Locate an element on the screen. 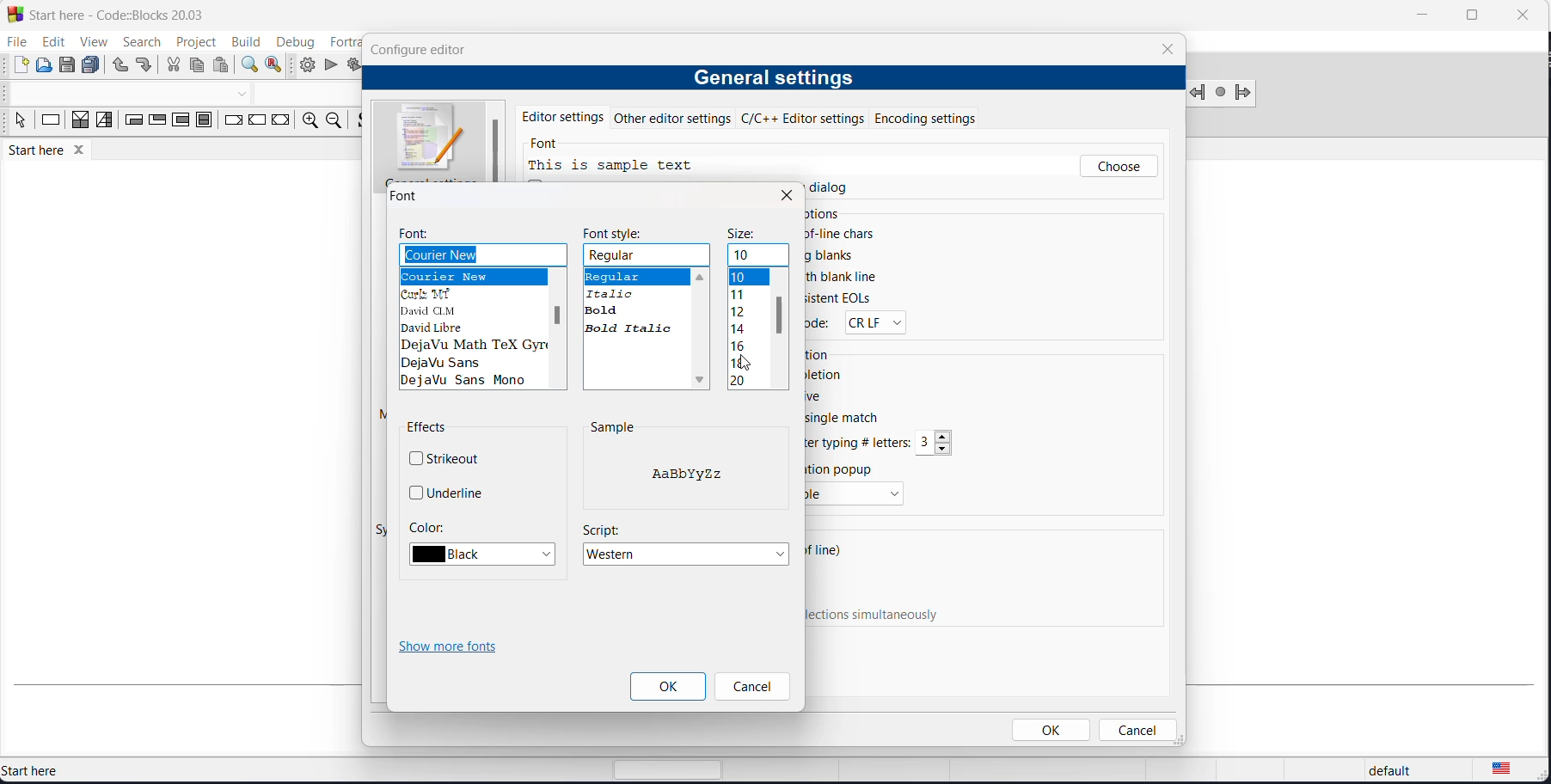 Image resolution: width=1551 pixels, height=784 pixels. scrollbar is located at coordinates (556, 315).